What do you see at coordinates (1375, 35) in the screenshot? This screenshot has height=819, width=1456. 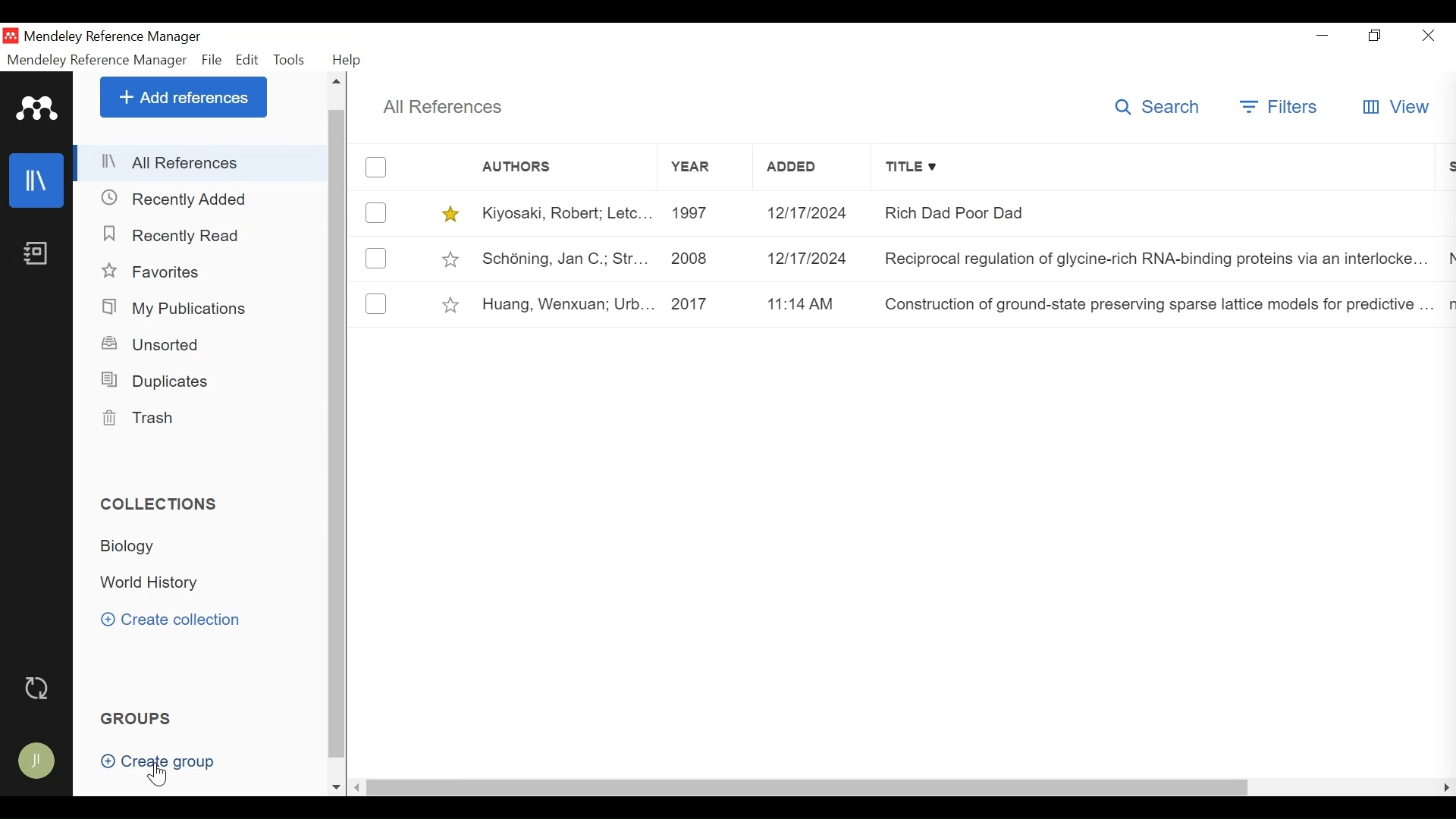 I see `Restore` at bounding box center [1375, 35].